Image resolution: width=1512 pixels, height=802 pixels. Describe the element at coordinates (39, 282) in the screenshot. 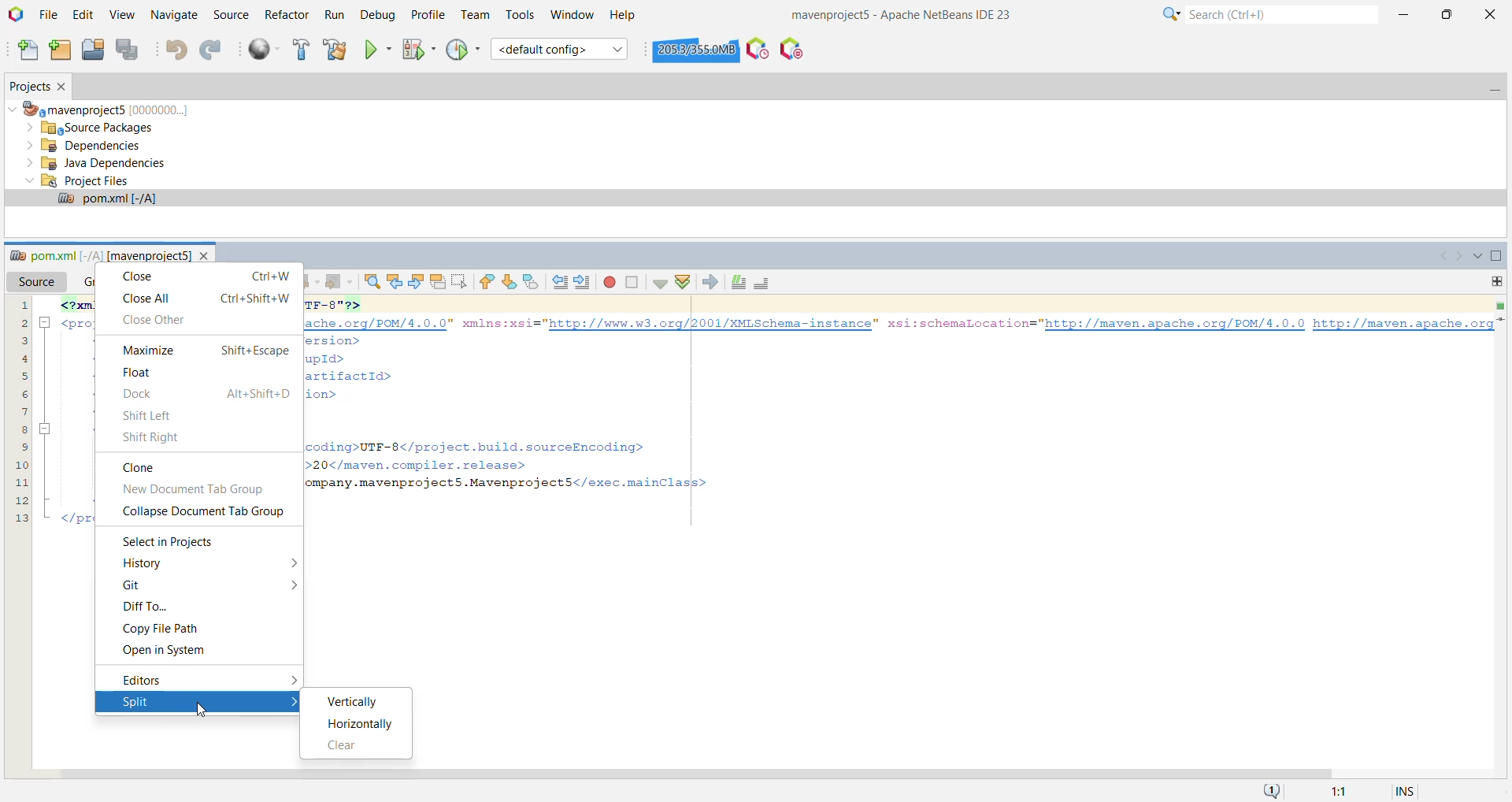

I see `Source` at that location.